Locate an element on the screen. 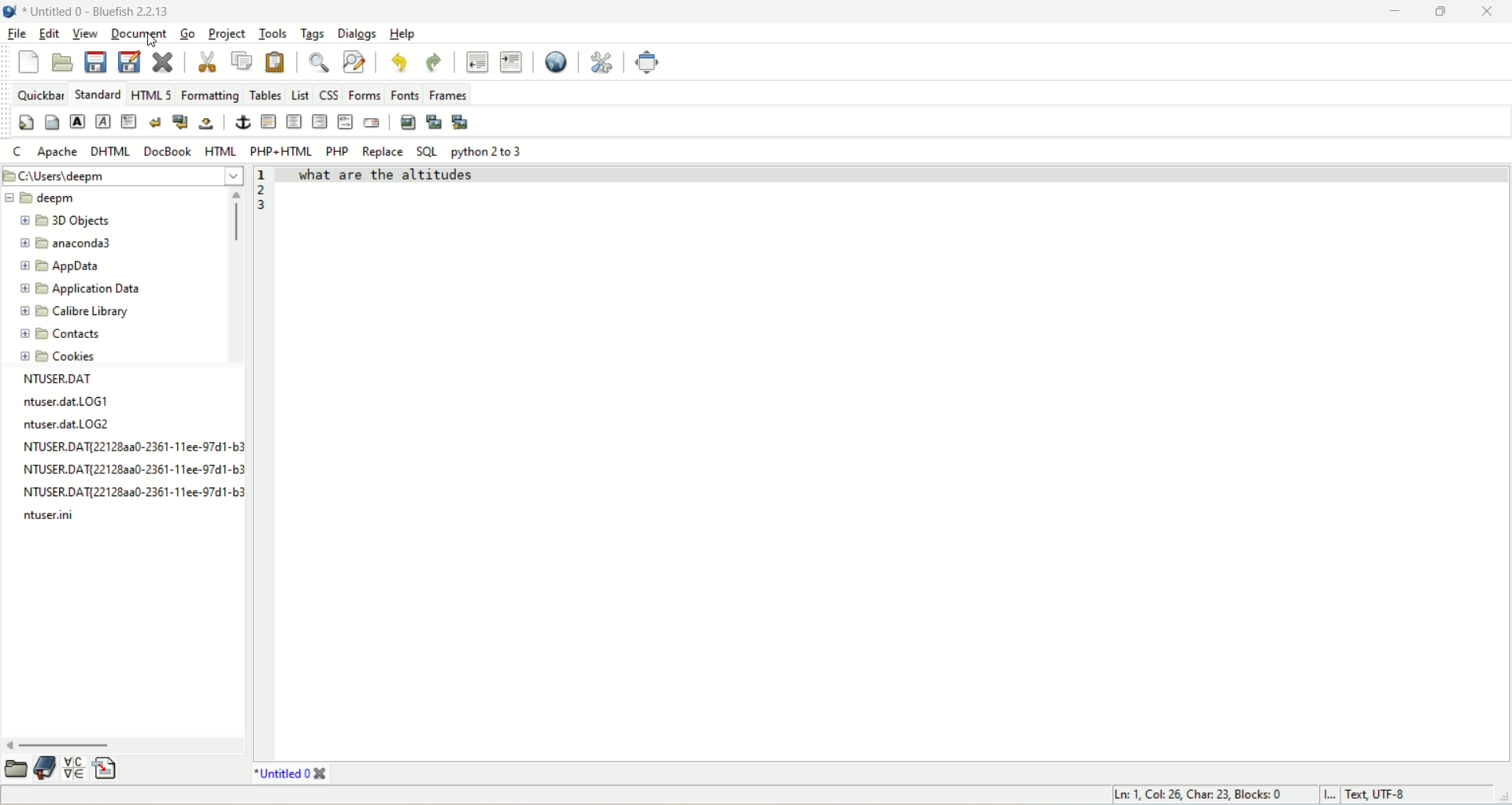 The height and width of the screenshot is (805, 1512). HTML comment is located at coordinates (345, 124).